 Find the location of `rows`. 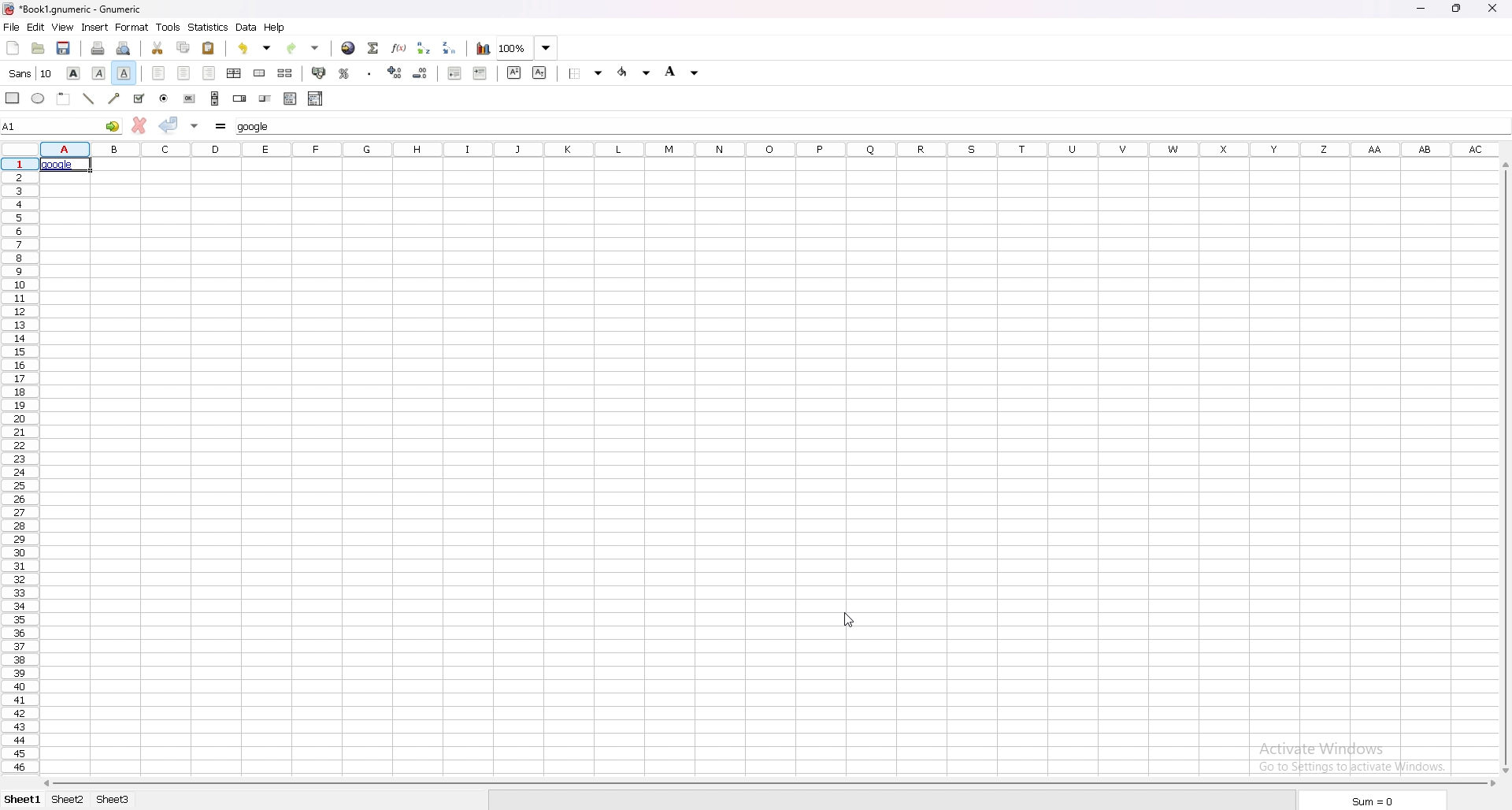

rows is located at coordinates (21, 466).